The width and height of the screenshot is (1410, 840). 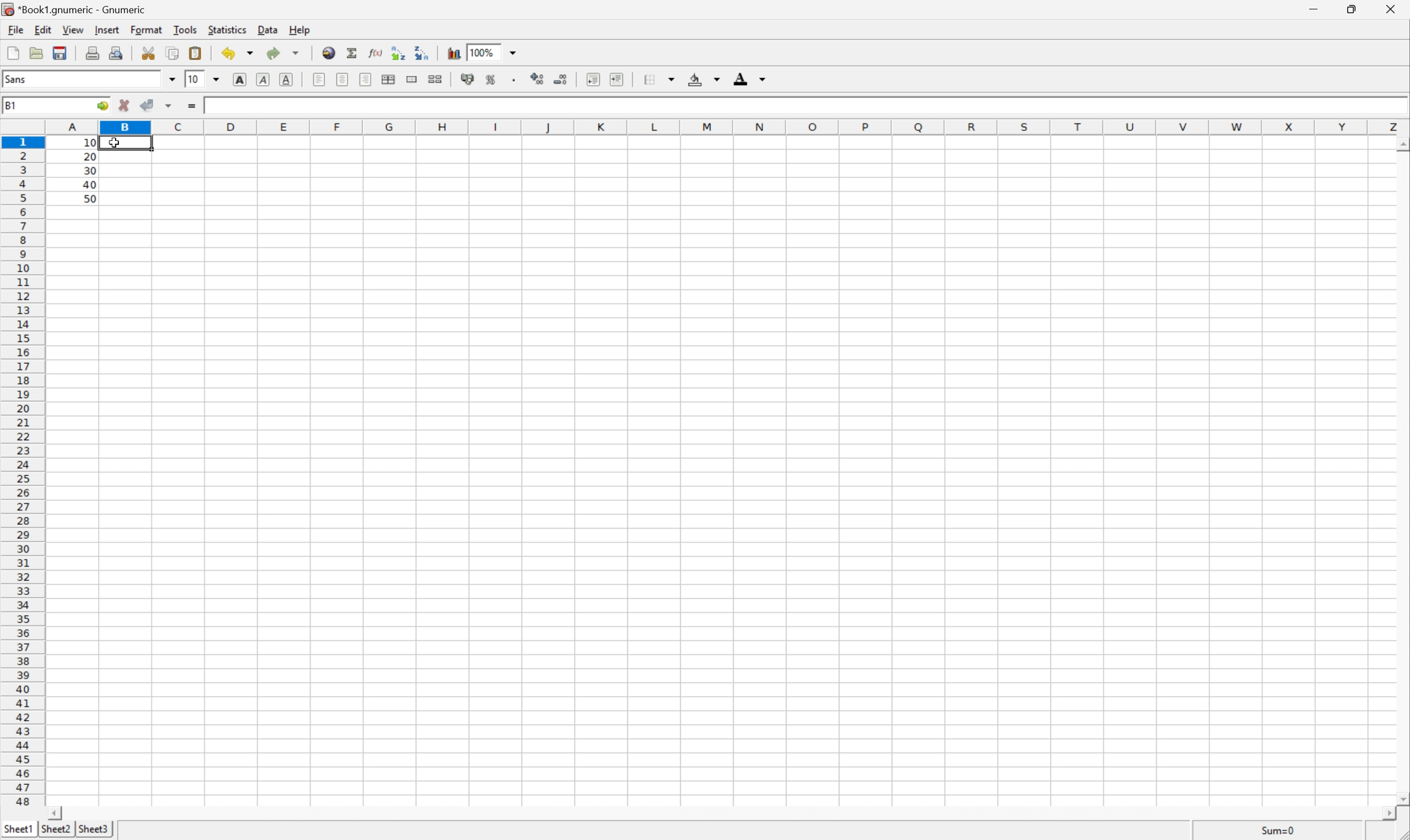 I want to click on 10, so click(x=214, y=105).